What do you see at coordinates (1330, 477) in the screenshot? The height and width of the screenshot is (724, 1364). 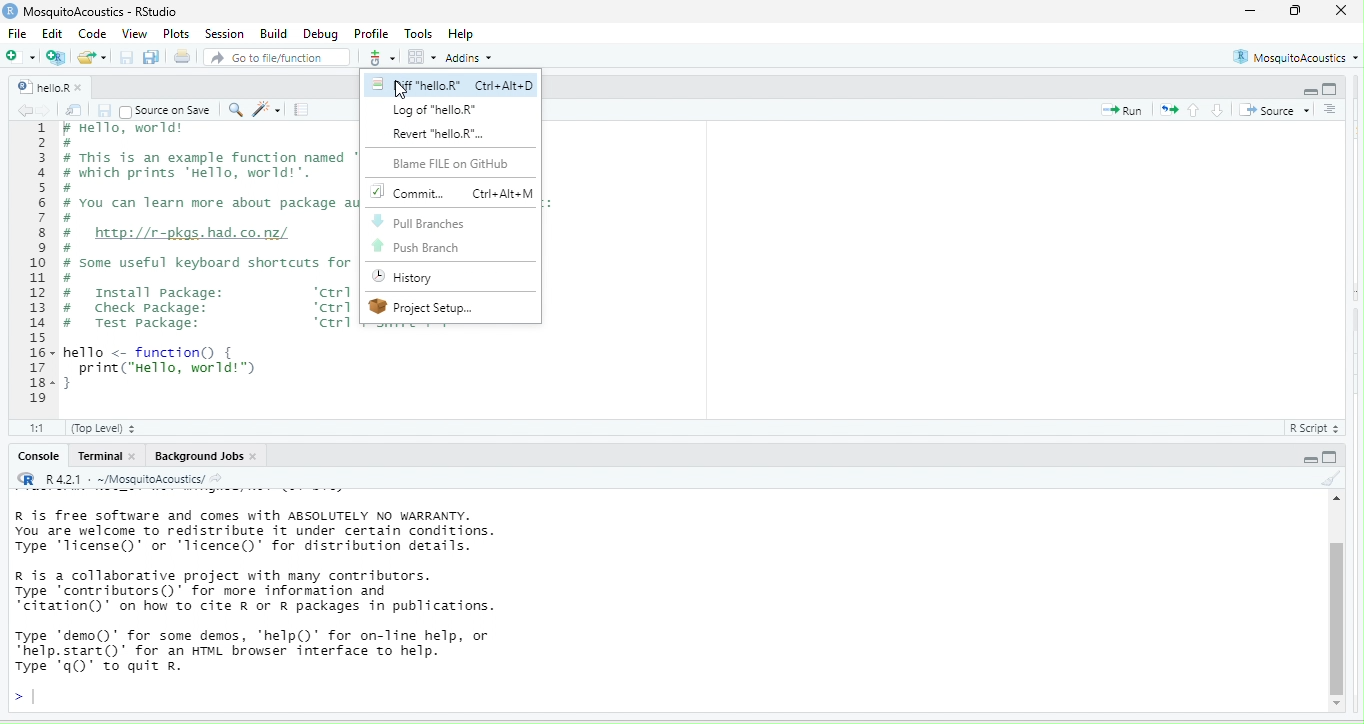 I see `clear console` at bounding box center [1330, 477].